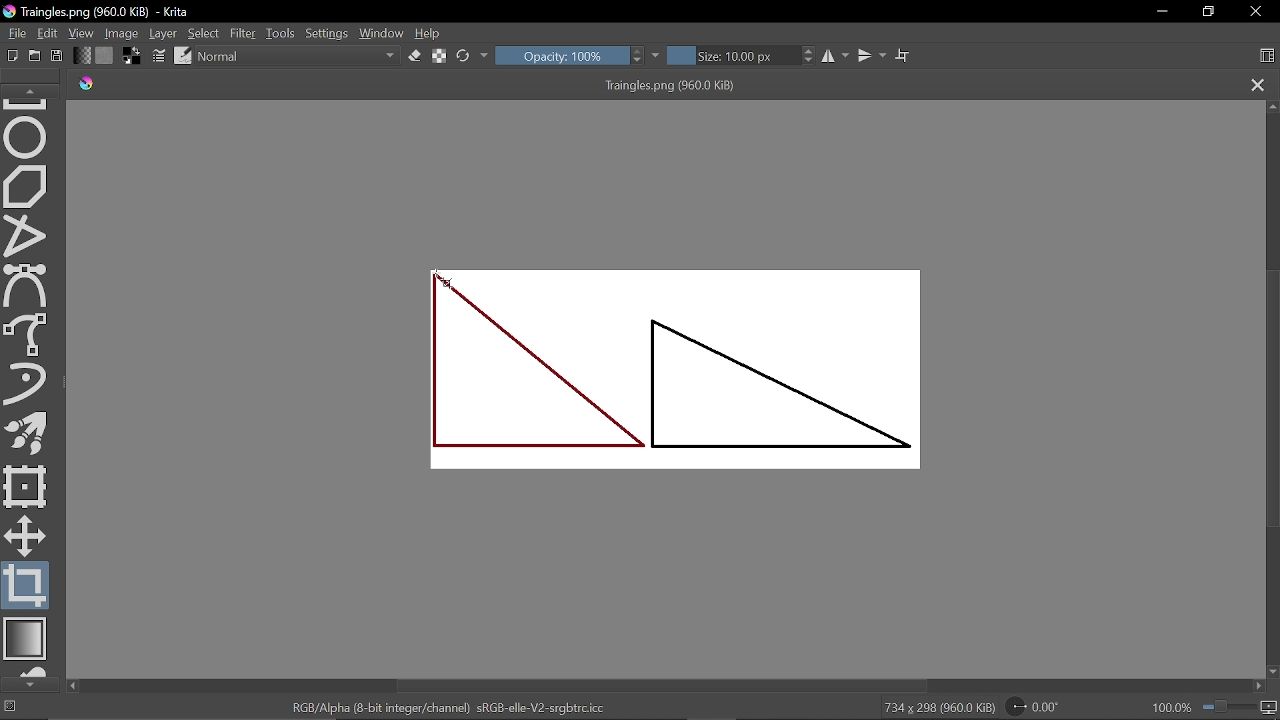 Image resolution: width=1280 pixels, height=720 pixels. What do you see at coordinates (25, 286) in the screenshot?
I see `Bezier select tool` at bounding box center [25, 286].